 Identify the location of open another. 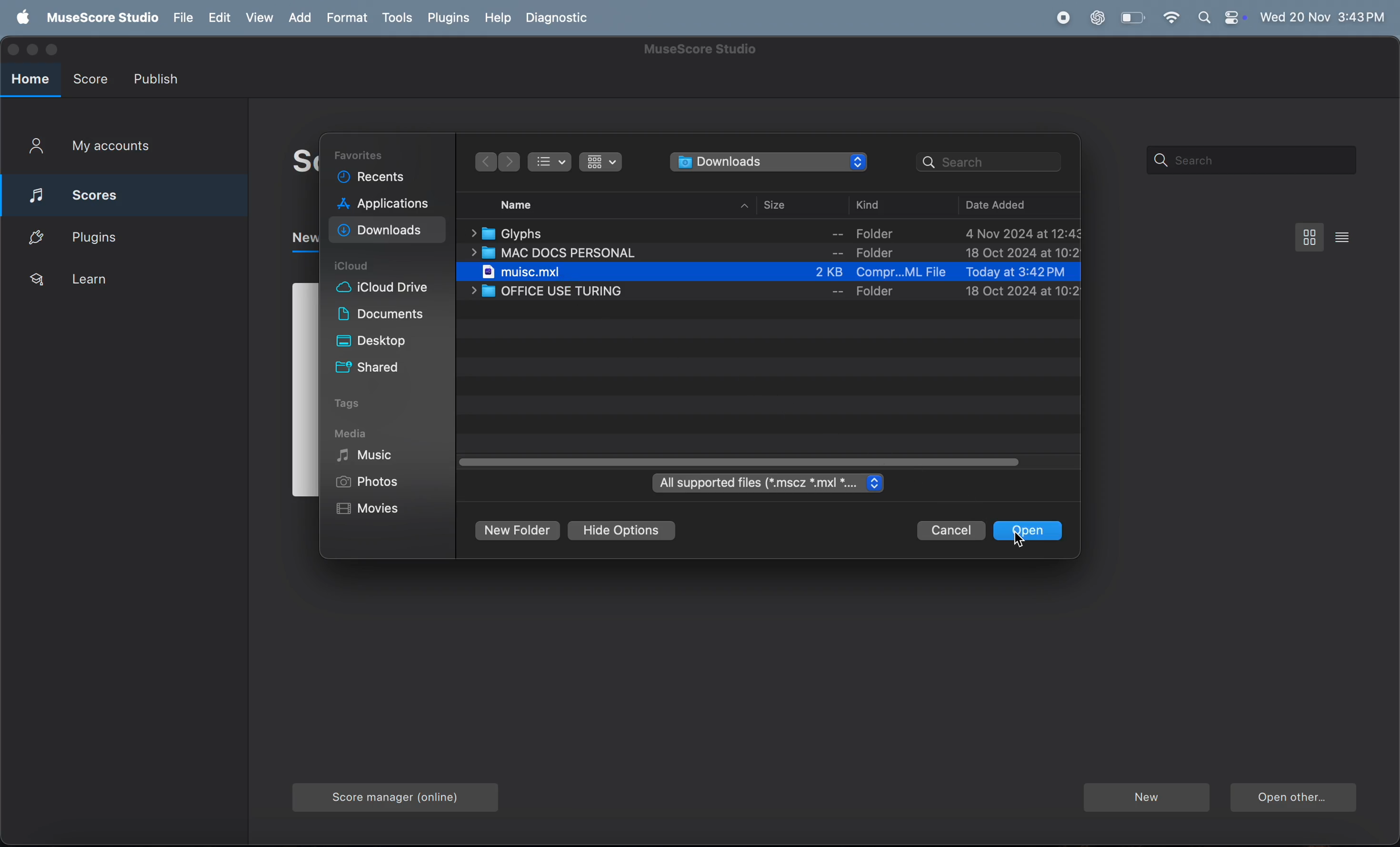
(1294, 798).